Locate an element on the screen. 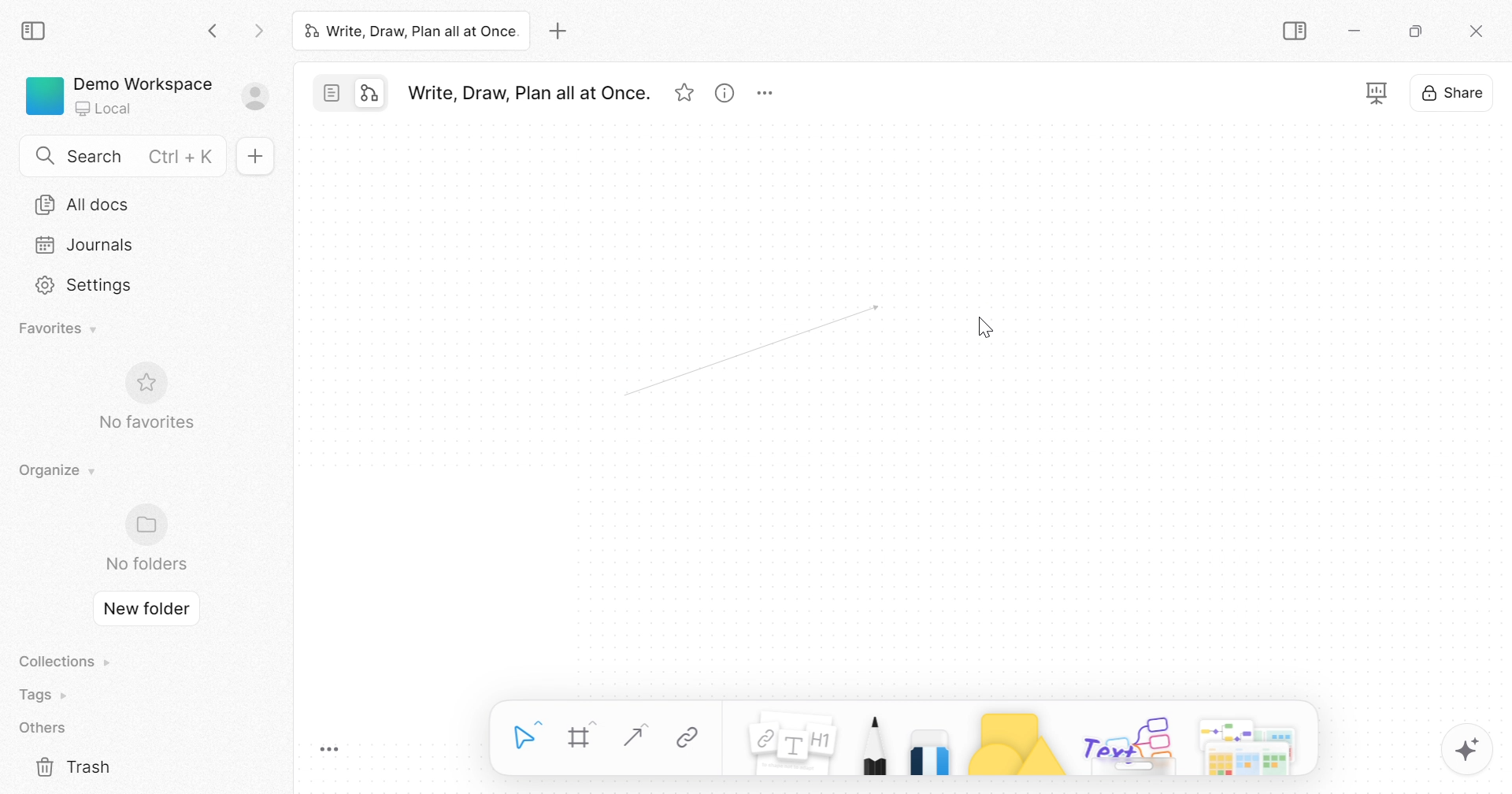 This screenshot has width=1512, height=794. Collections is located at coordinates (61, 662).